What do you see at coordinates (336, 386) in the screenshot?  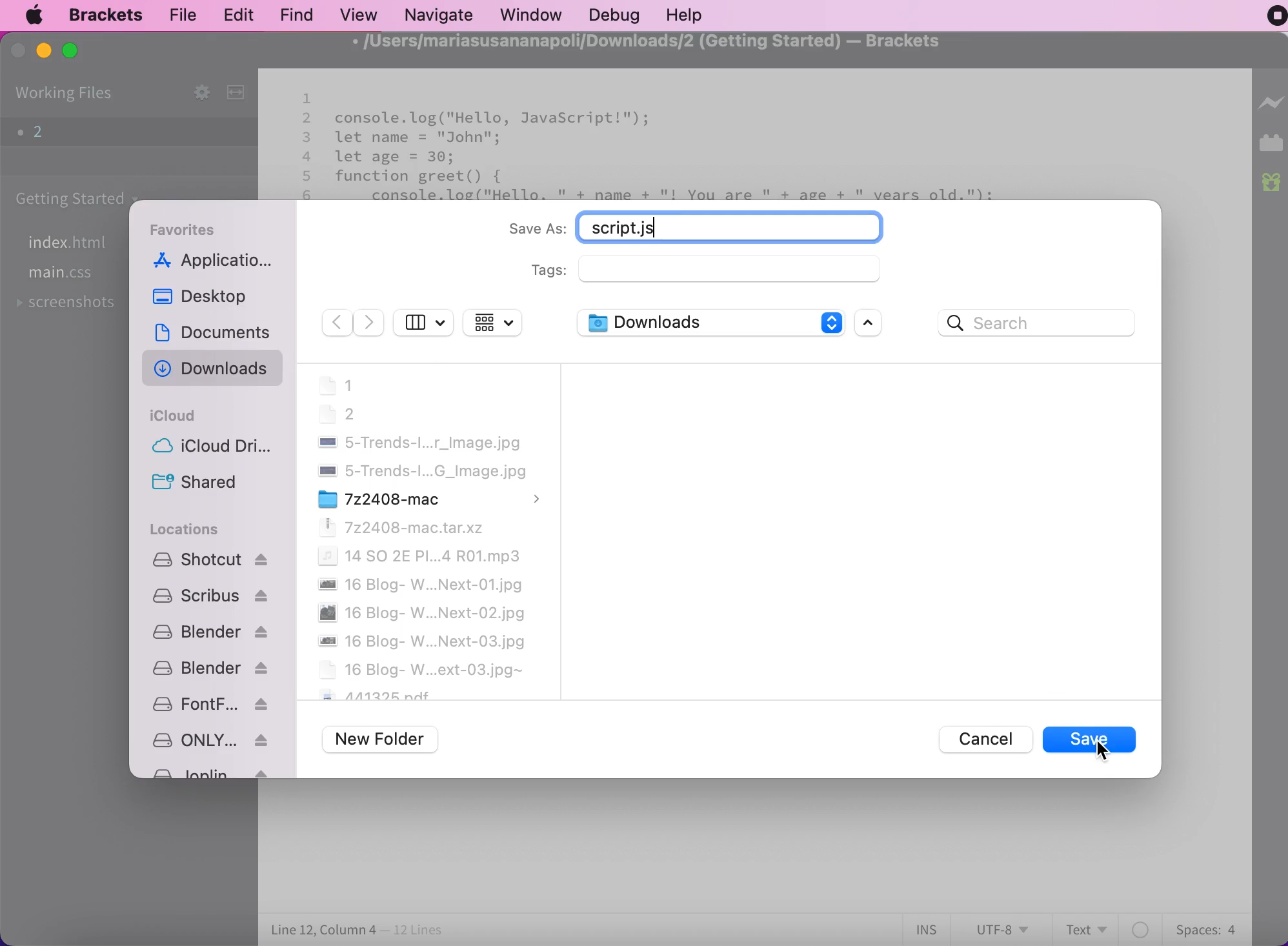 I see `1` at bounding box center [336, 386].